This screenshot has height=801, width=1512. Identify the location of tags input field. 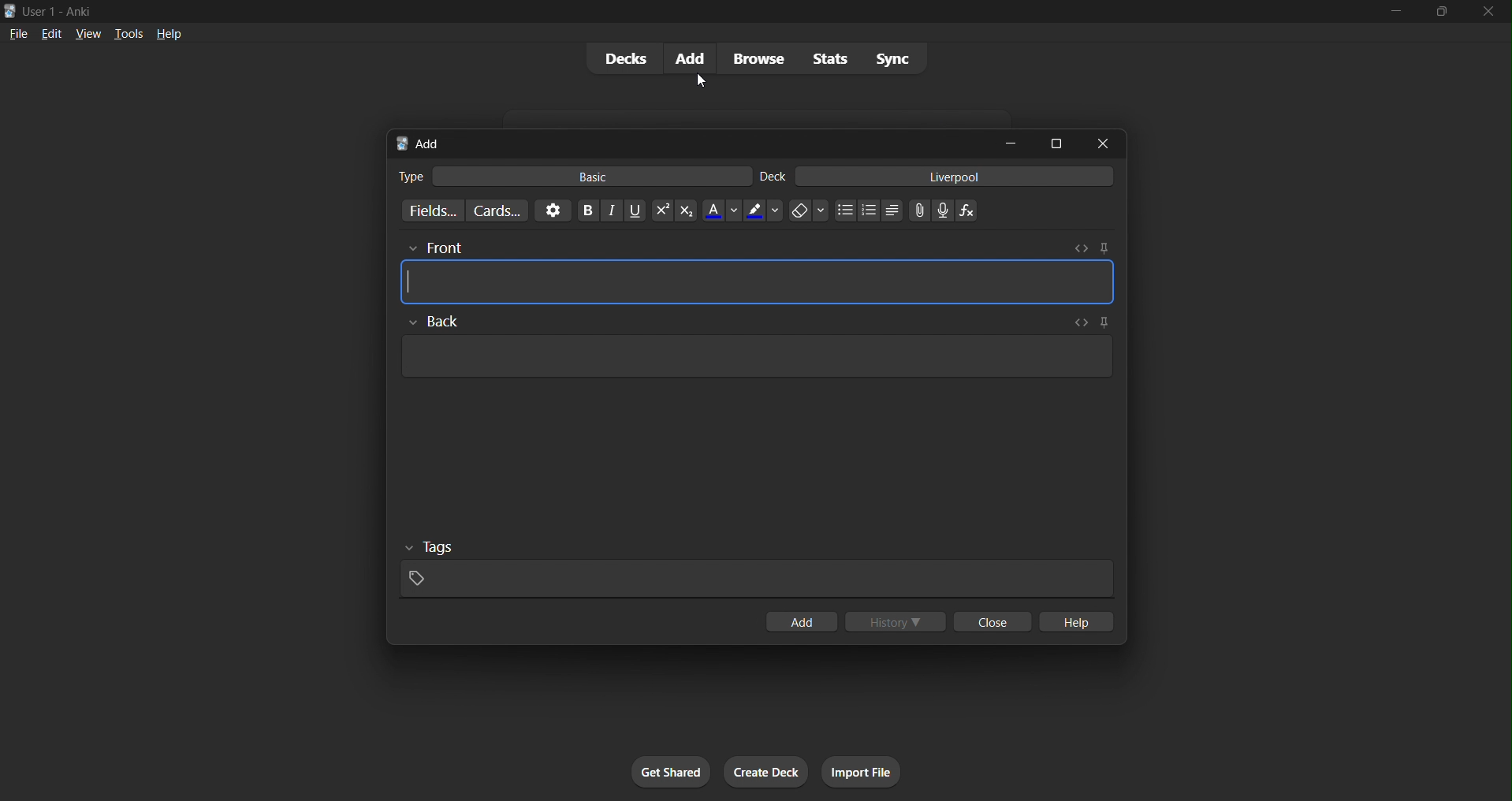
(759, 568).